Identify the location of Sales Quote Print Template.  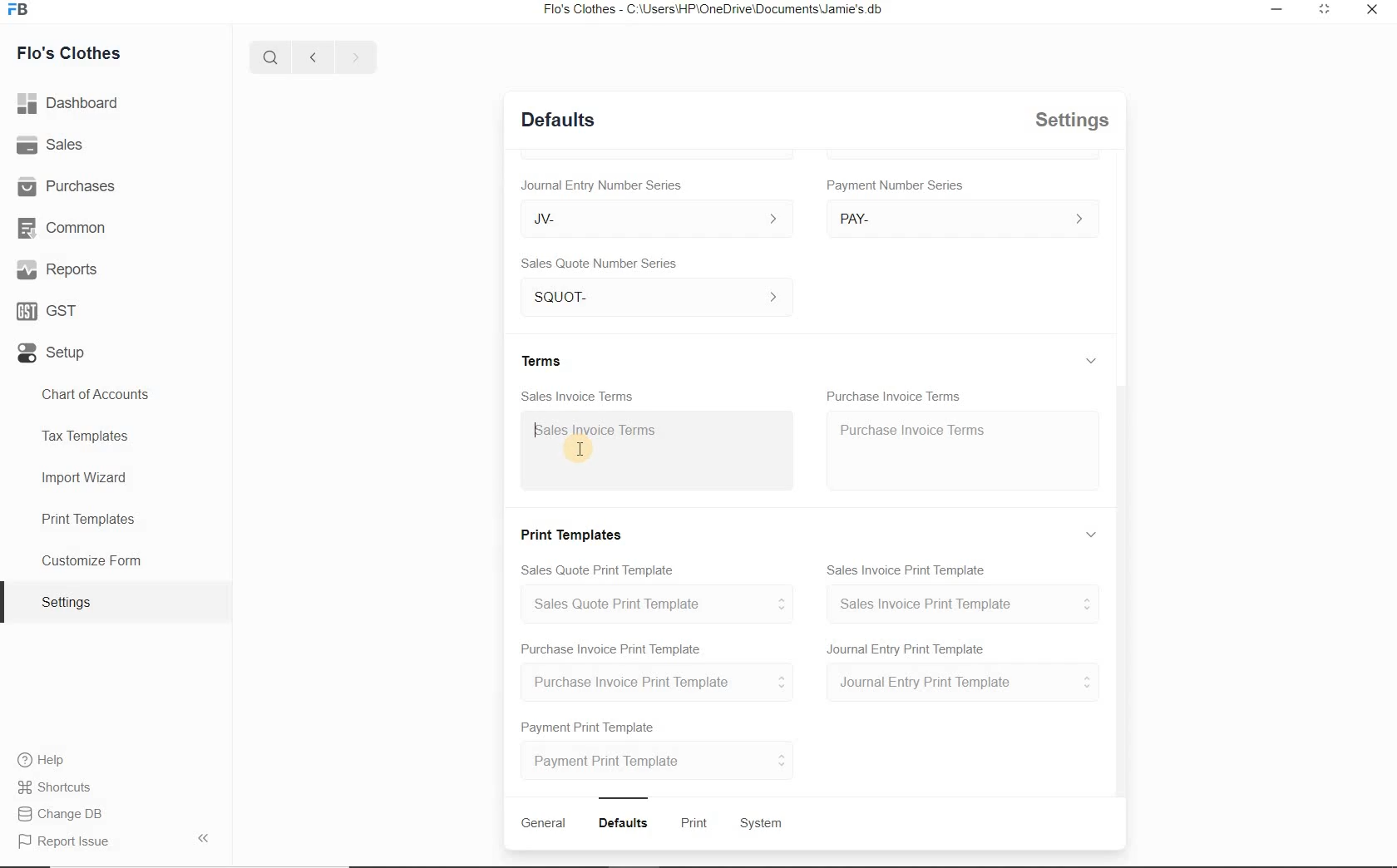
(601, 568).